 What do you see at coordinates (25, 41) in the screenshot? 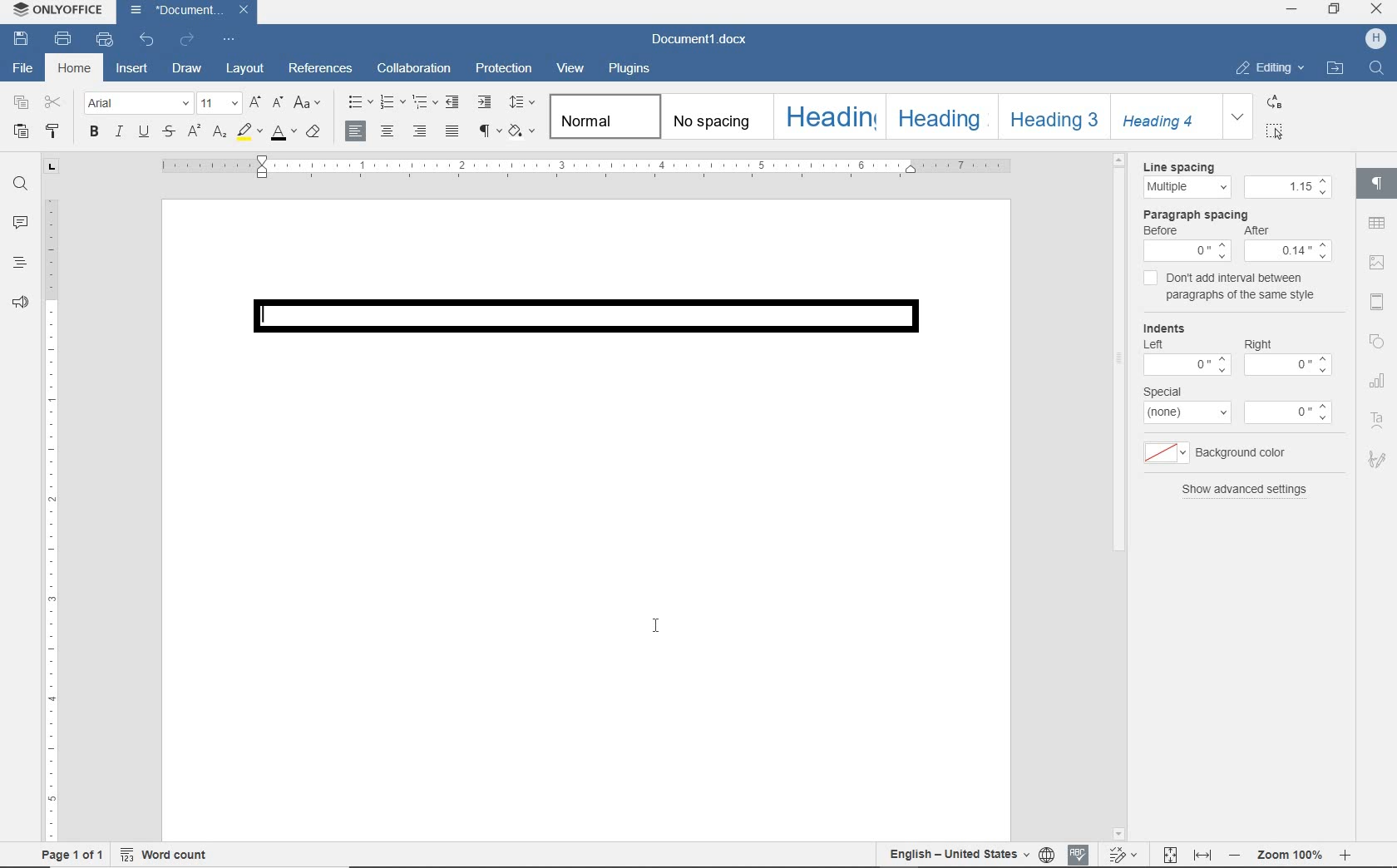
I see `save` at bounding box center [25, 41].